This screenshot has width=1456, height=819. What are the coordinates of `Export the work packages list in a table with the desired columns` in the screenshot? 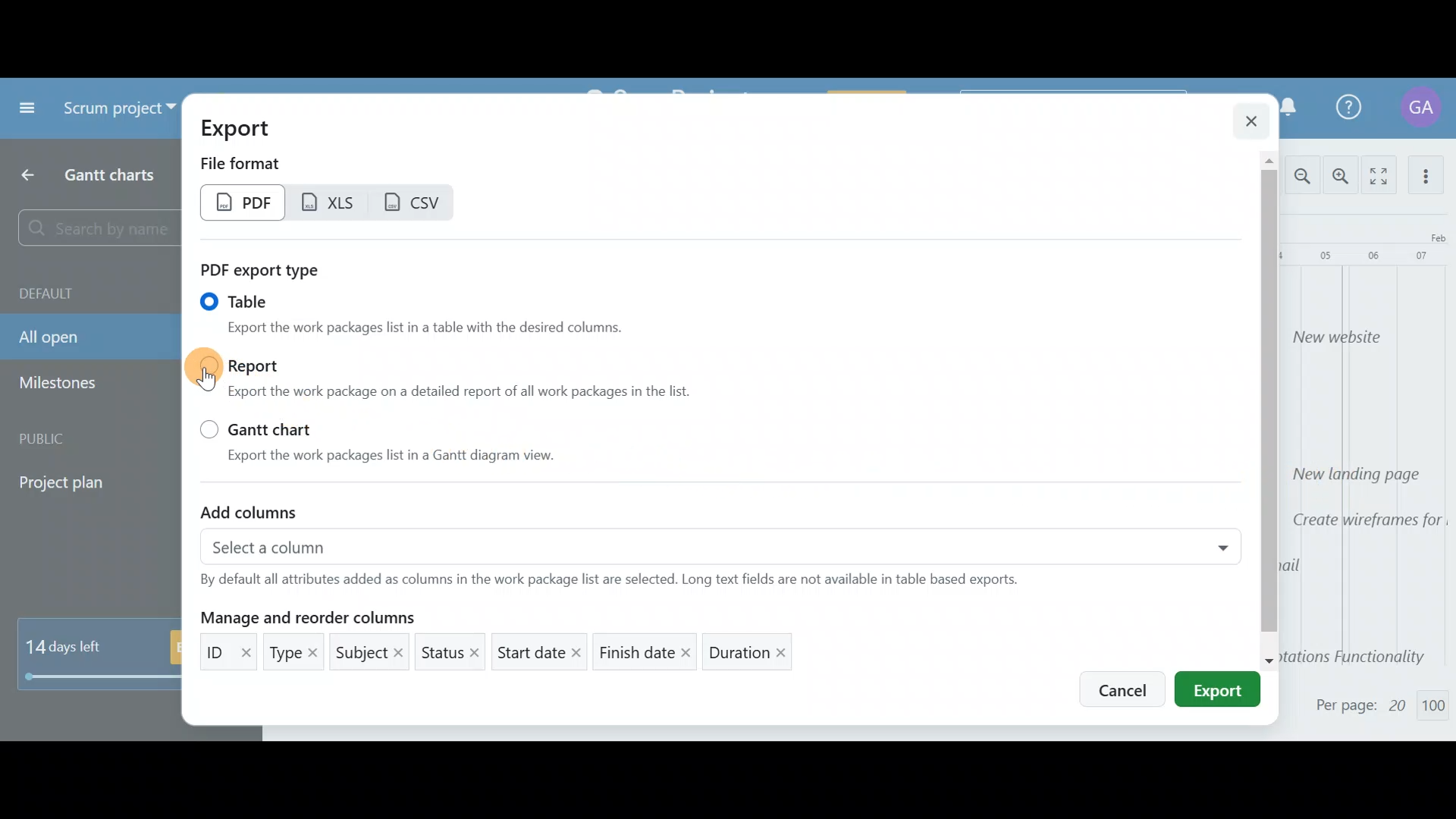 It's located at (431, 329).